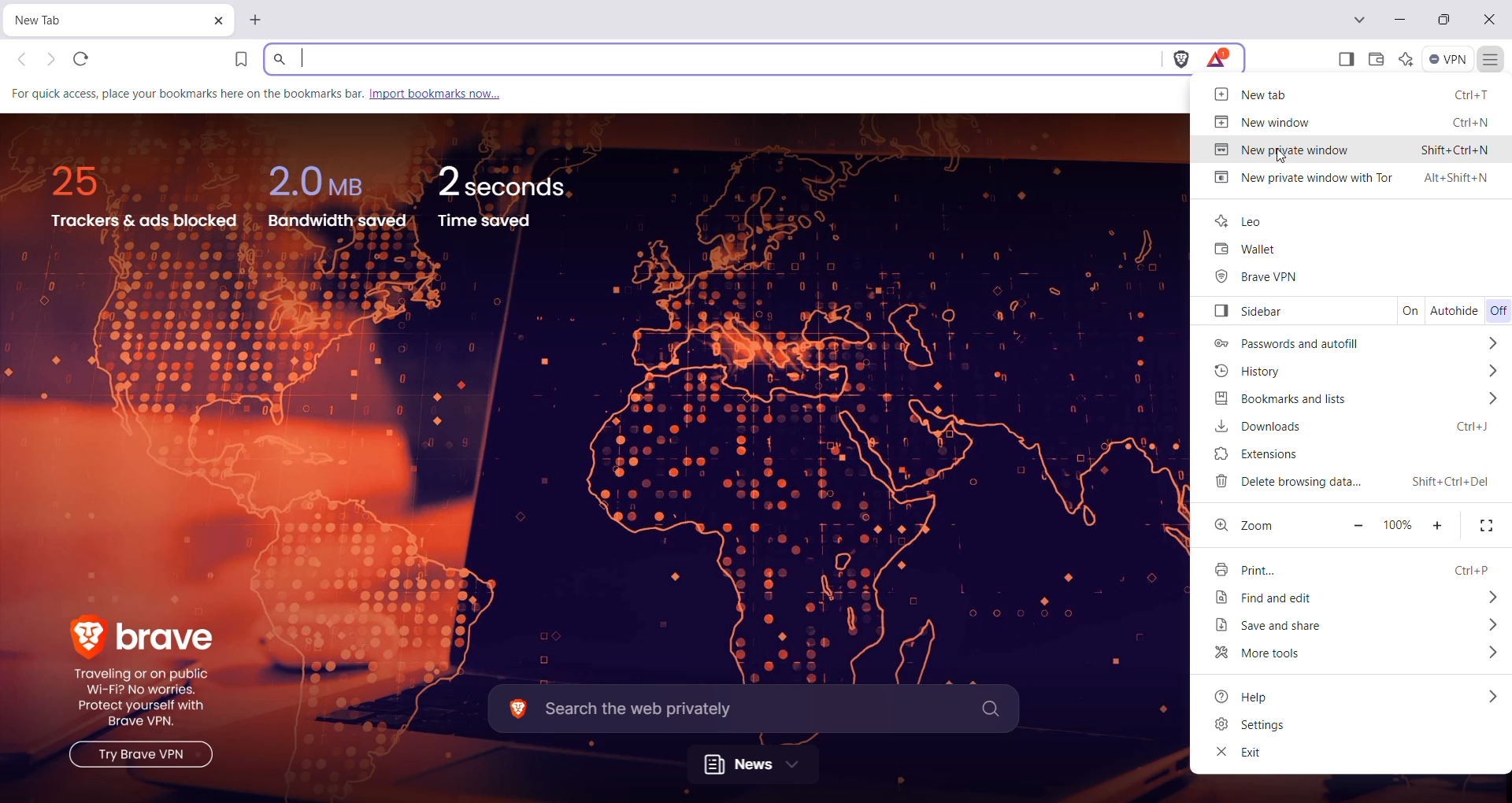 The image size is (1512, 803). What do you see at coordinates (1354, 179) in the screenshot?
I see `New private window with Tor` at bounding box center [1354, 179].